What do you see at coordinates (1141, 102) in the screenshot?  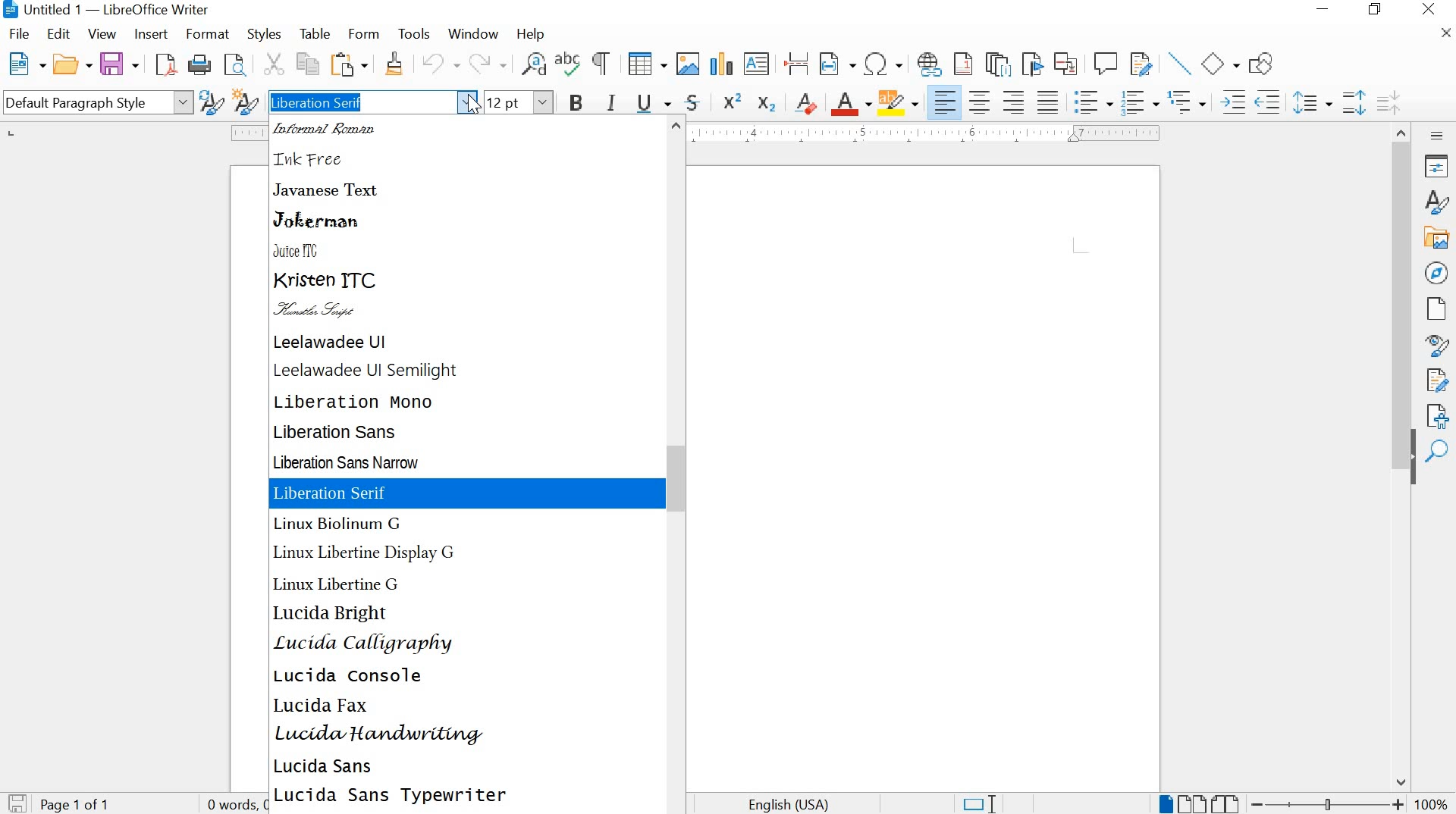 I see `TOGGLE ORDERED LIST` at bounding box center [1141, 102].